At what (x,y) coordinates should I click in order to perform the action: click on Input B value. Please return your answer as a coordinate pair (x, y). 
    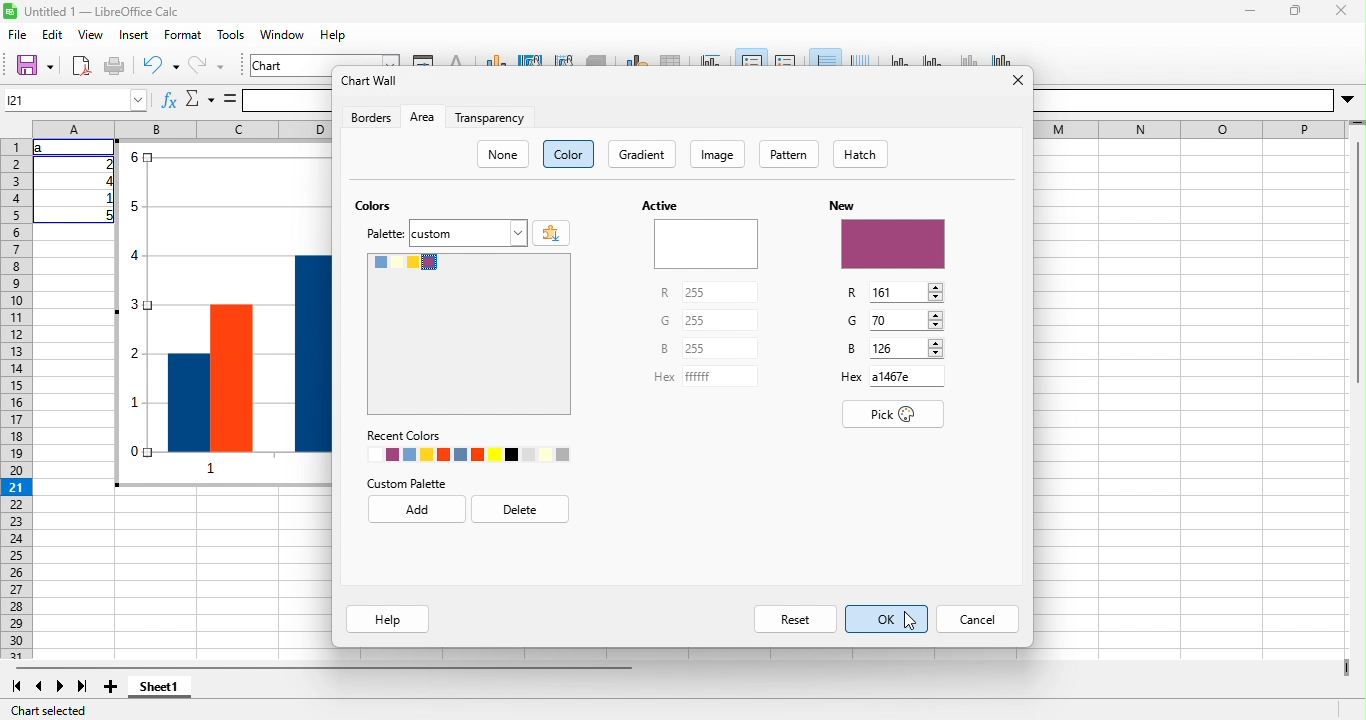
    Looking at the image, I should click on (898, 348).